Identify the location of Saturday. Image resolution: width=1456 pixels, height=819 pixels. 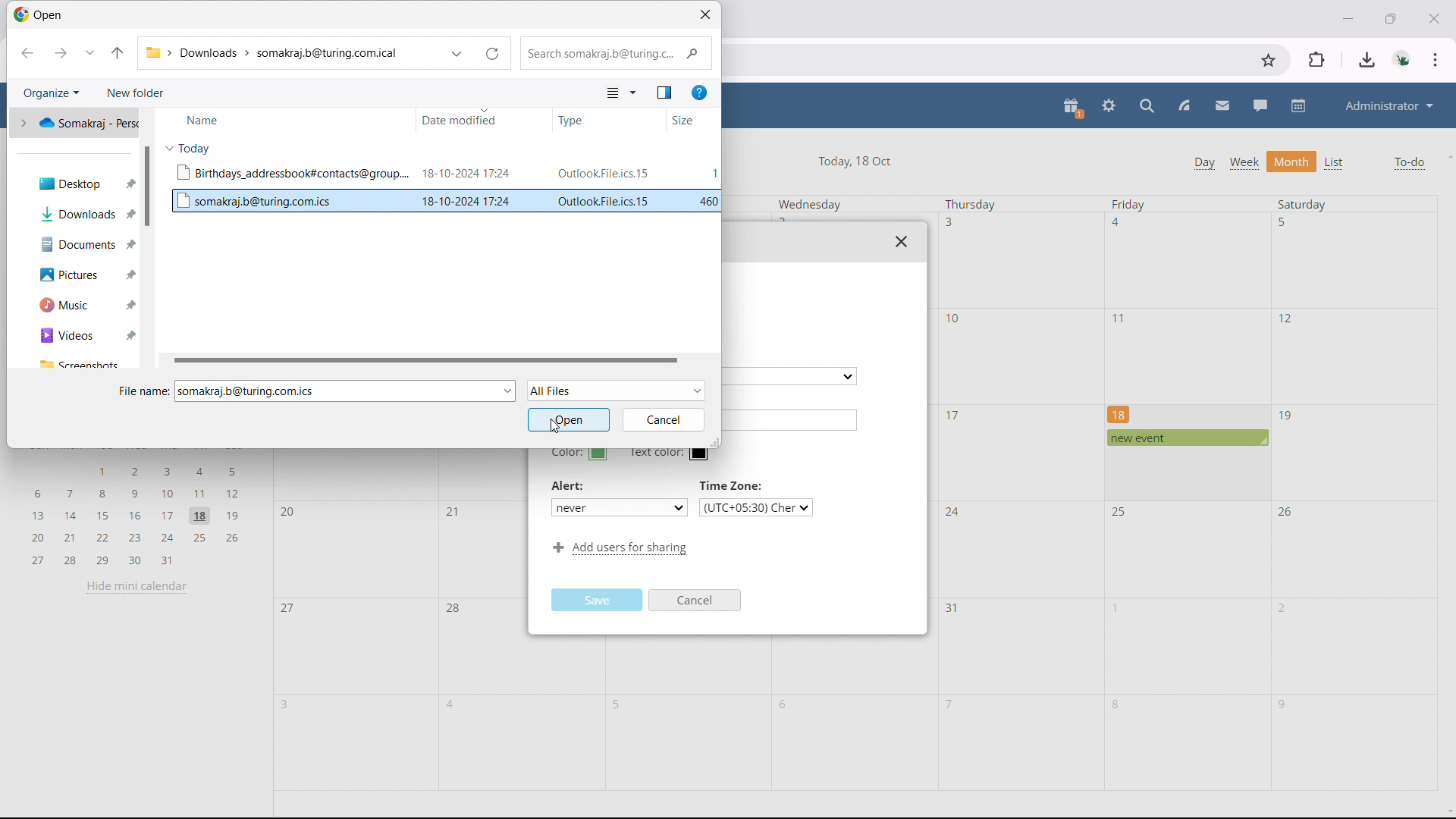
(1302, 203).